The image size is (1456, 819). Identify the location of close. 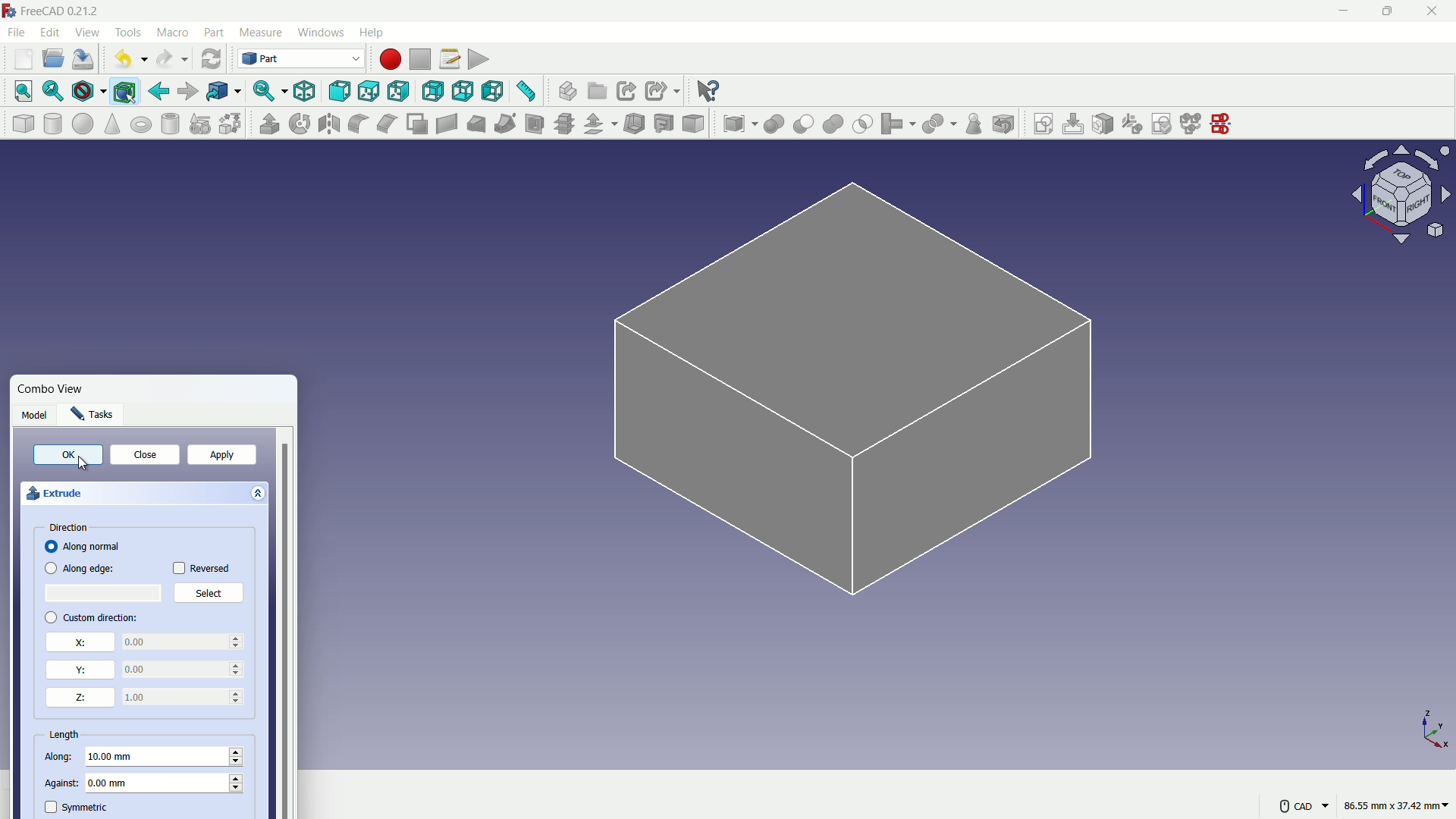
(143, 454).